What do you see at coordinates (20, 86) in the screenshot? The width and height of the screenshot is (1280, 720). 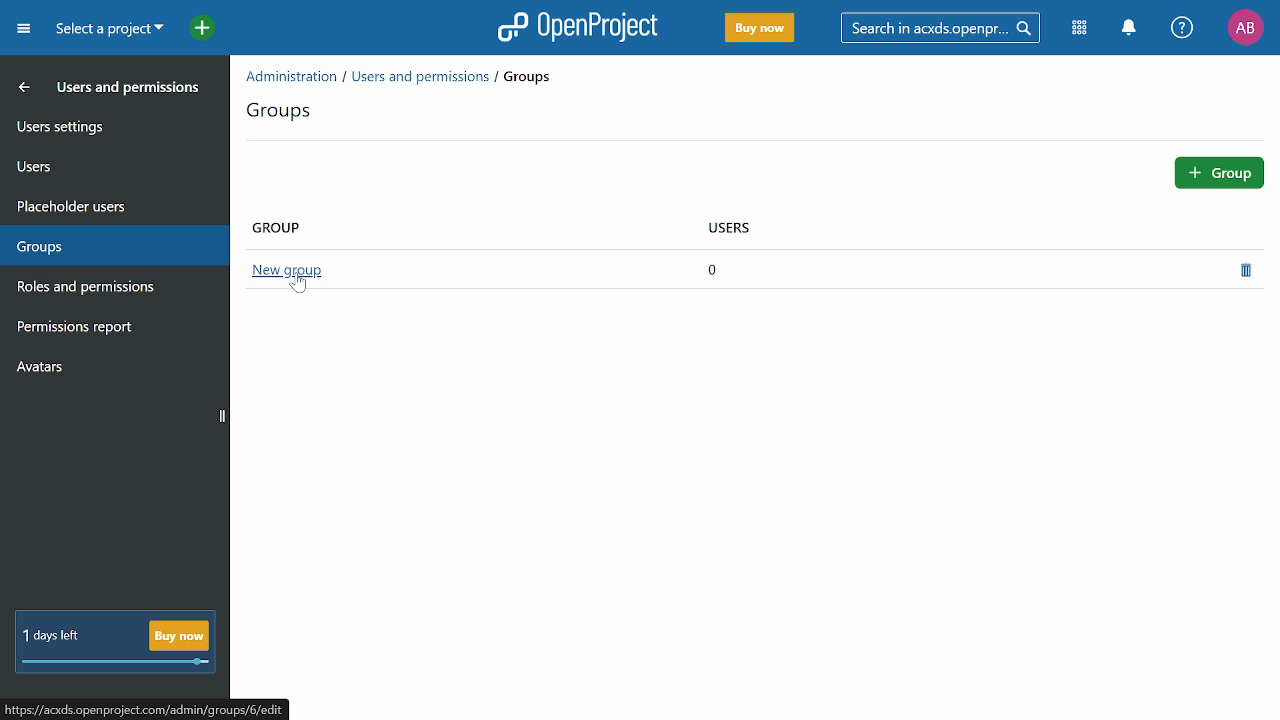 I see `MOve back` at bounding box center [20, 86].